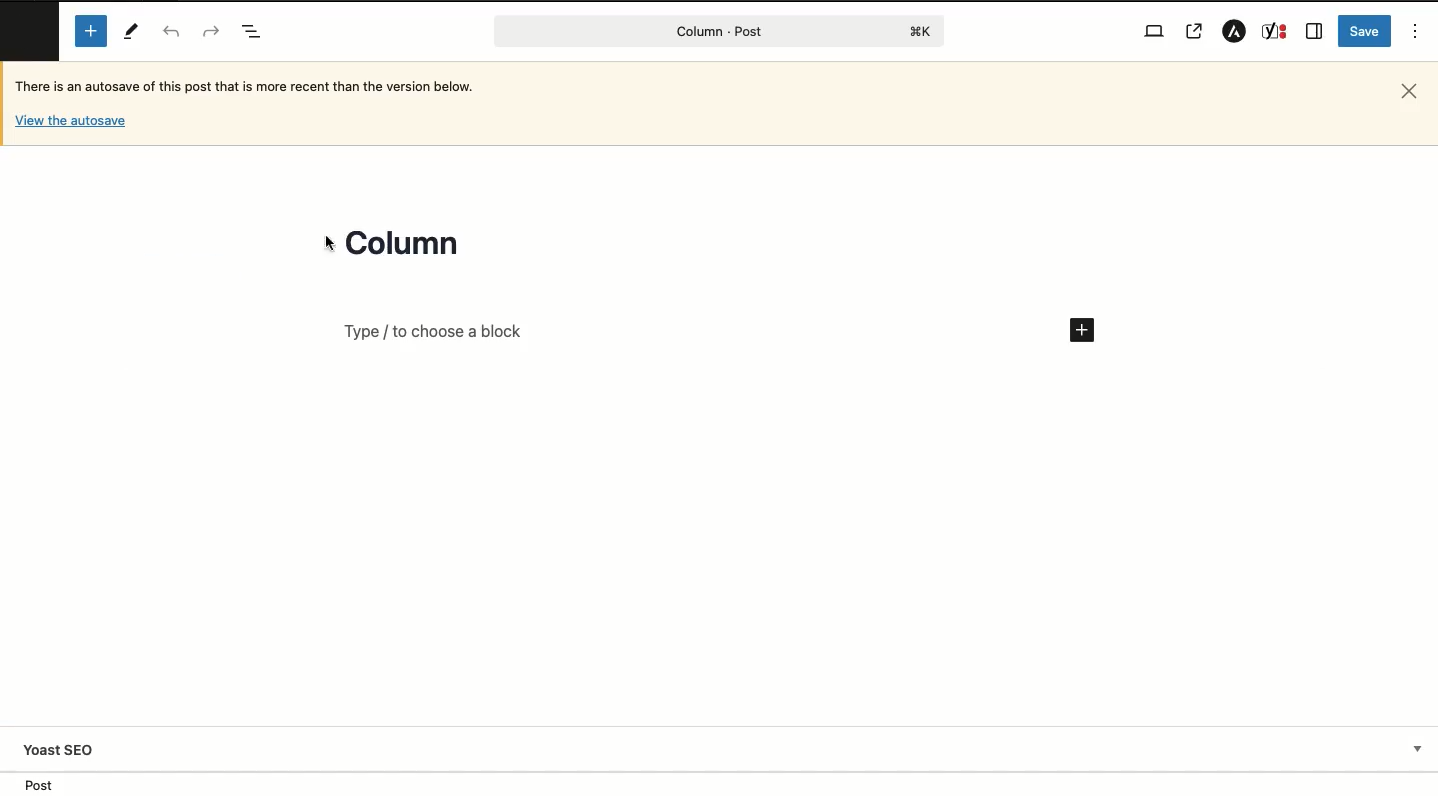 The height and width of the screenshot is (796, 1438). Describe the element at coordinates (172, 31) in the screenshot. I see `Undo` at that location.